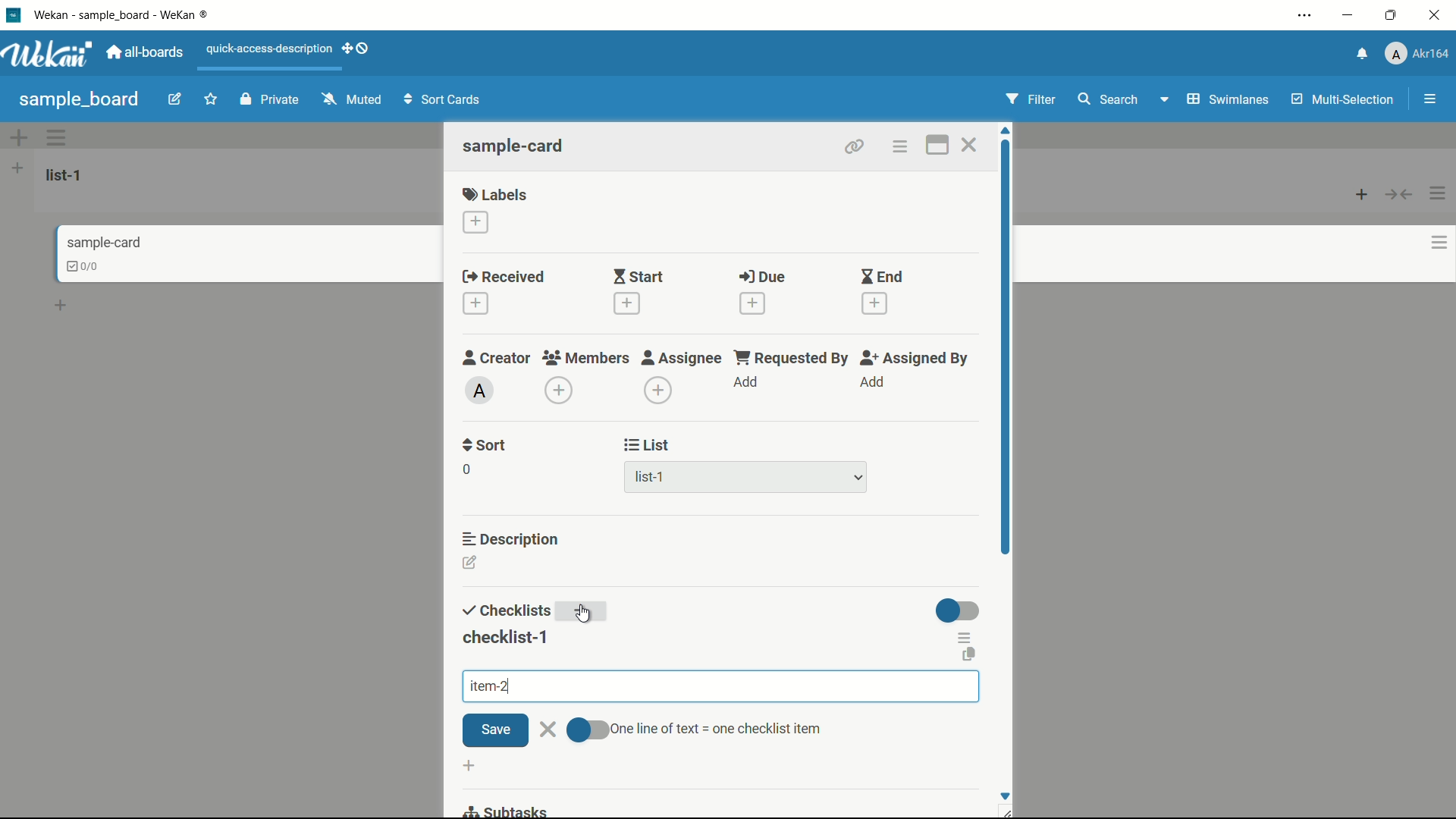 The height and width of the screenshot is (819, 1456). What do you see at coordinates (471, 565) in the screenshot?
I see `add description` at bounding box center [471, 565].